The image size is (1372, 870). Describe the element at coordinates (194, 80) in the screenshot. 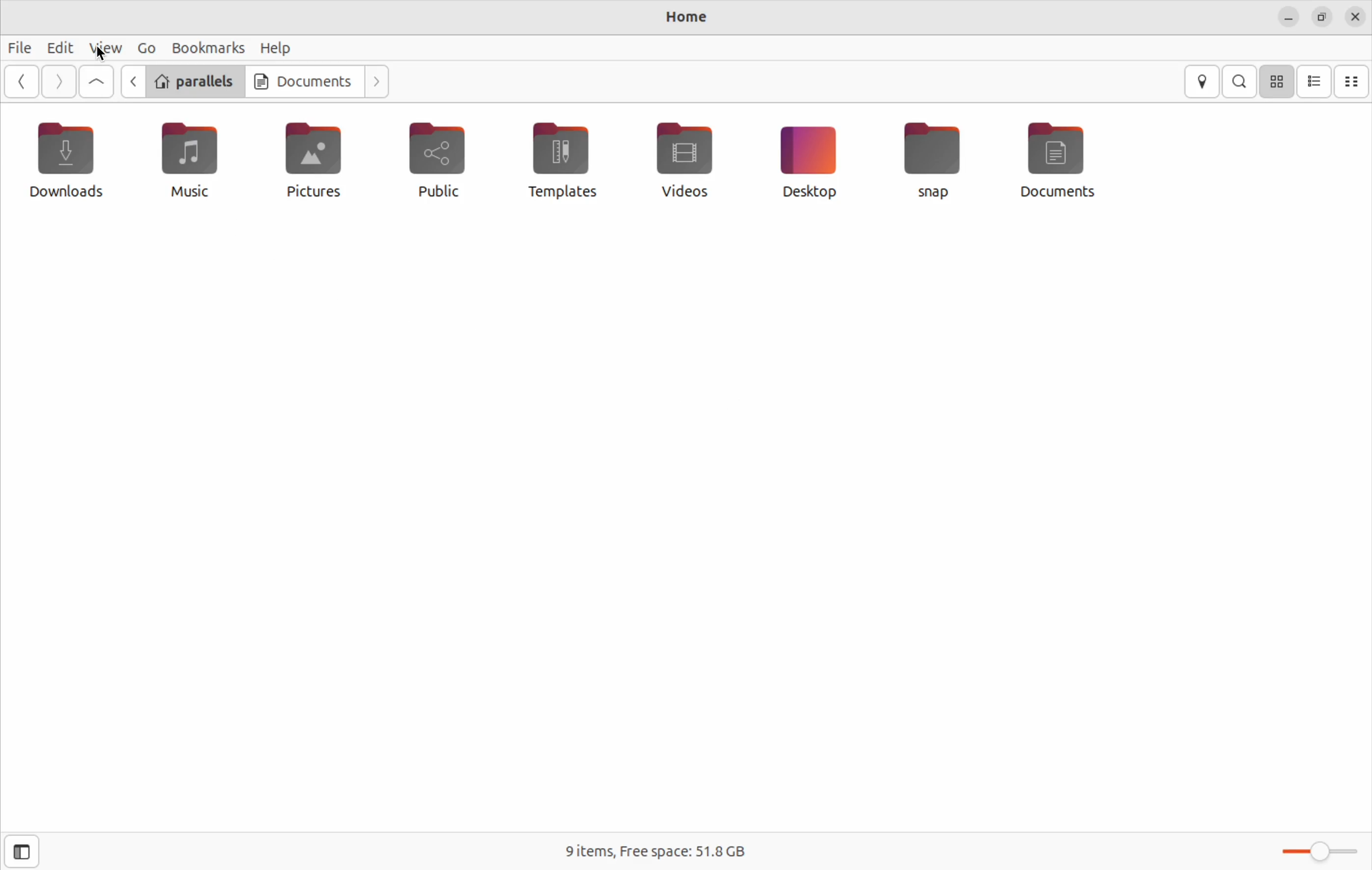

I see `parallels` at that location.